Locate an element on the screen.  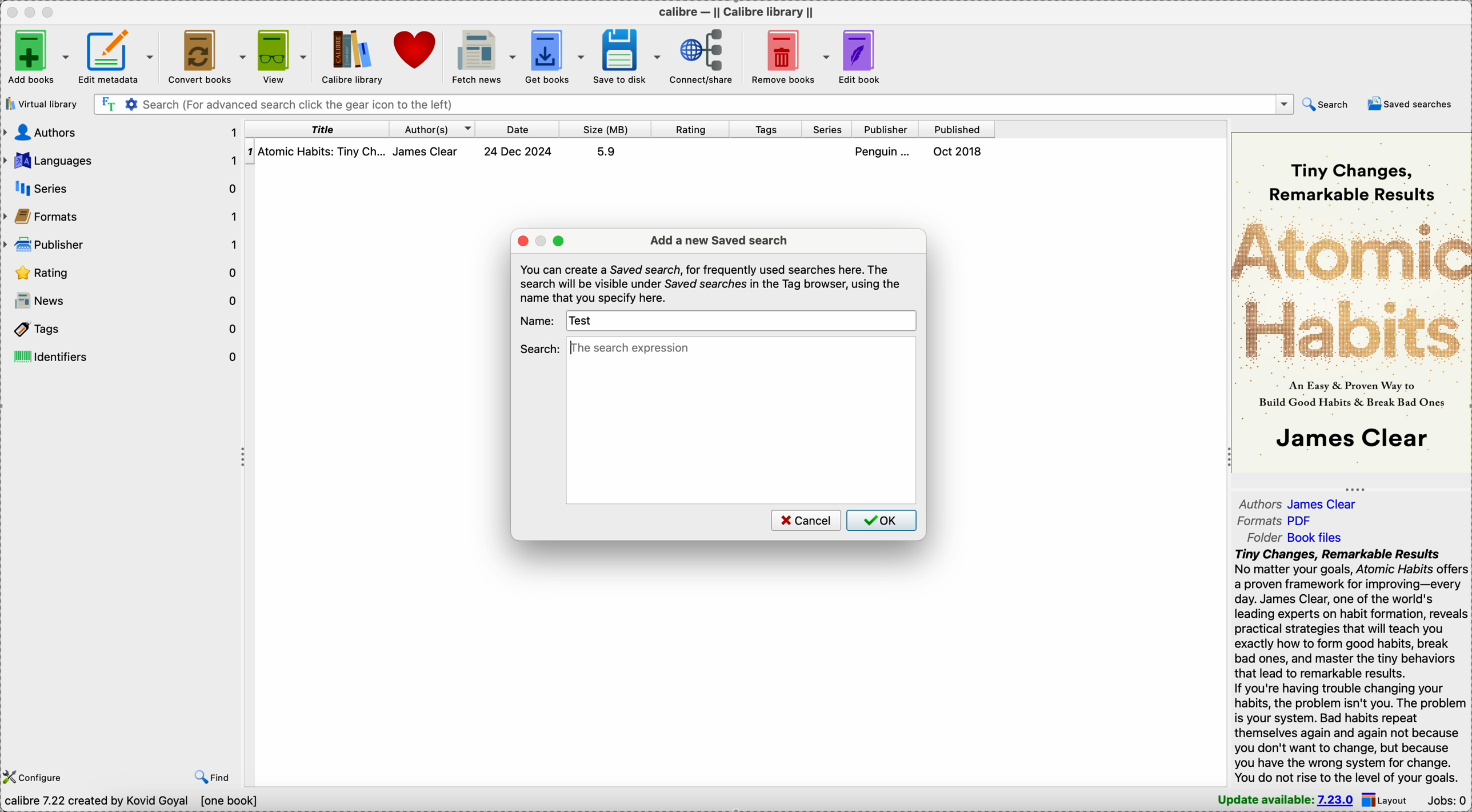
rating is located at coordinates (691, 129).